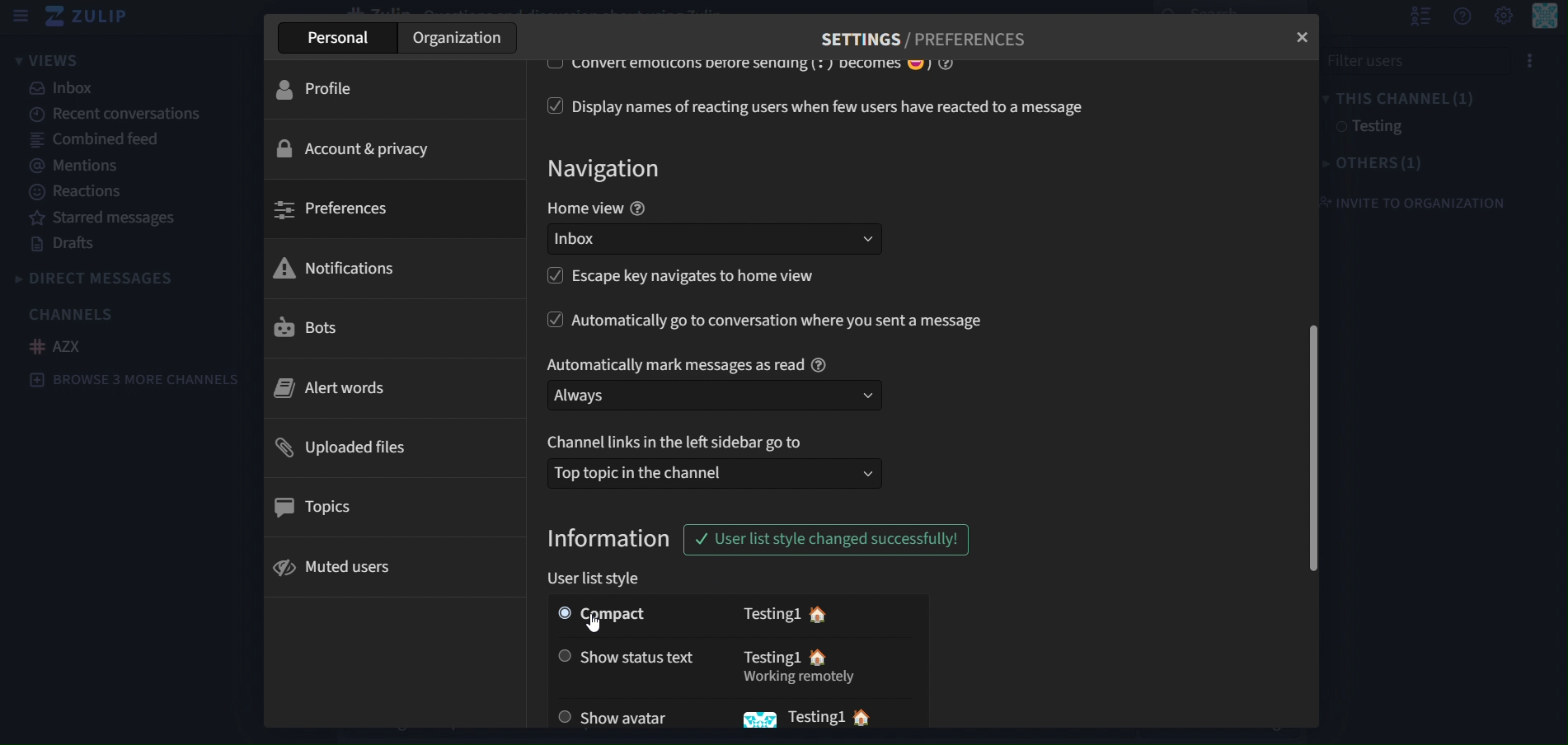 The image size is (1568, 745). What do you see at coordinates (770, 613) in the screenshot?
I see `testing1` at bounding box center [770, 613].